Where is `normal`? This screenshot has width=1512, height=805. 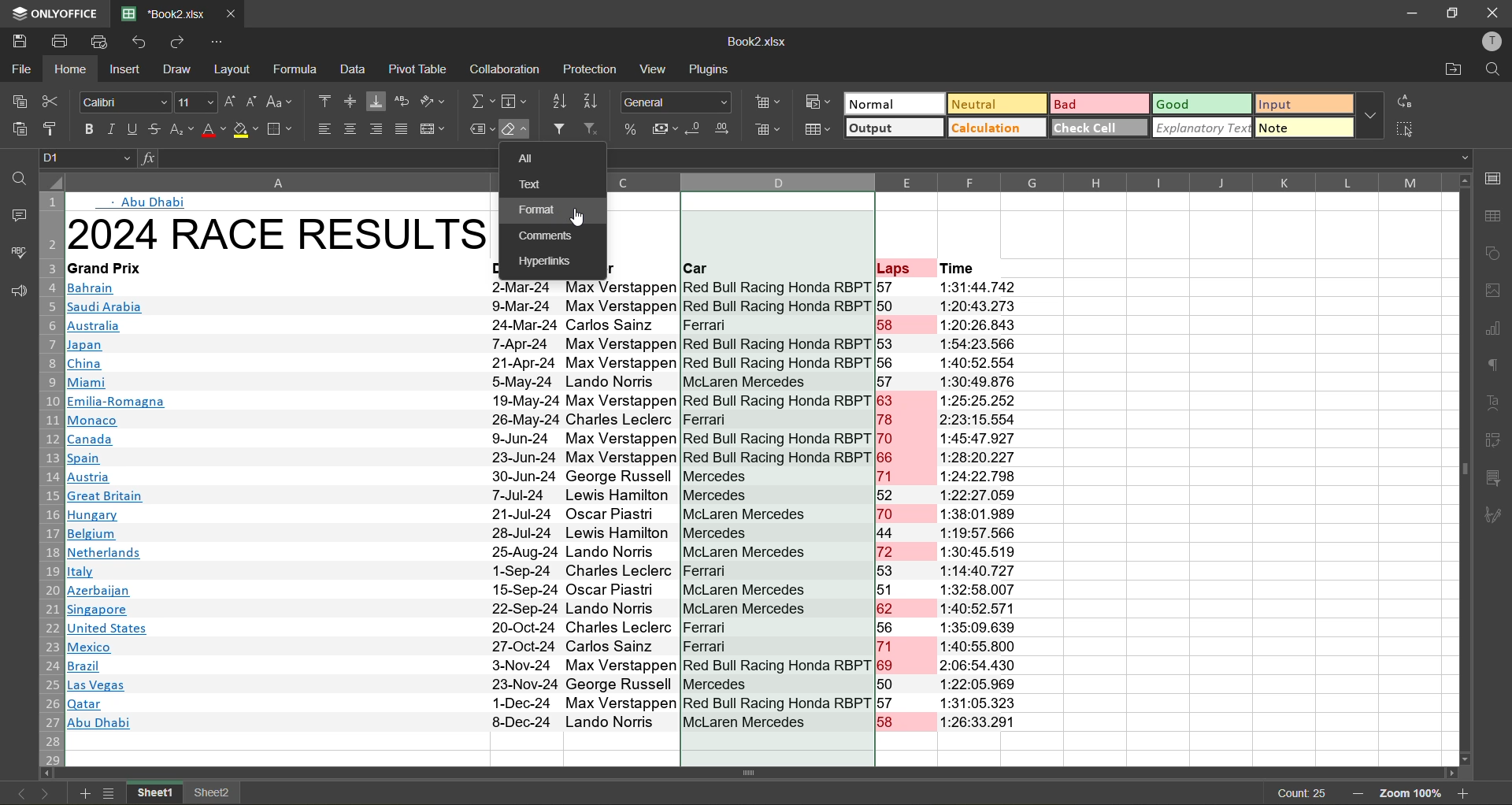
normal is located at coordinates (896, 103).